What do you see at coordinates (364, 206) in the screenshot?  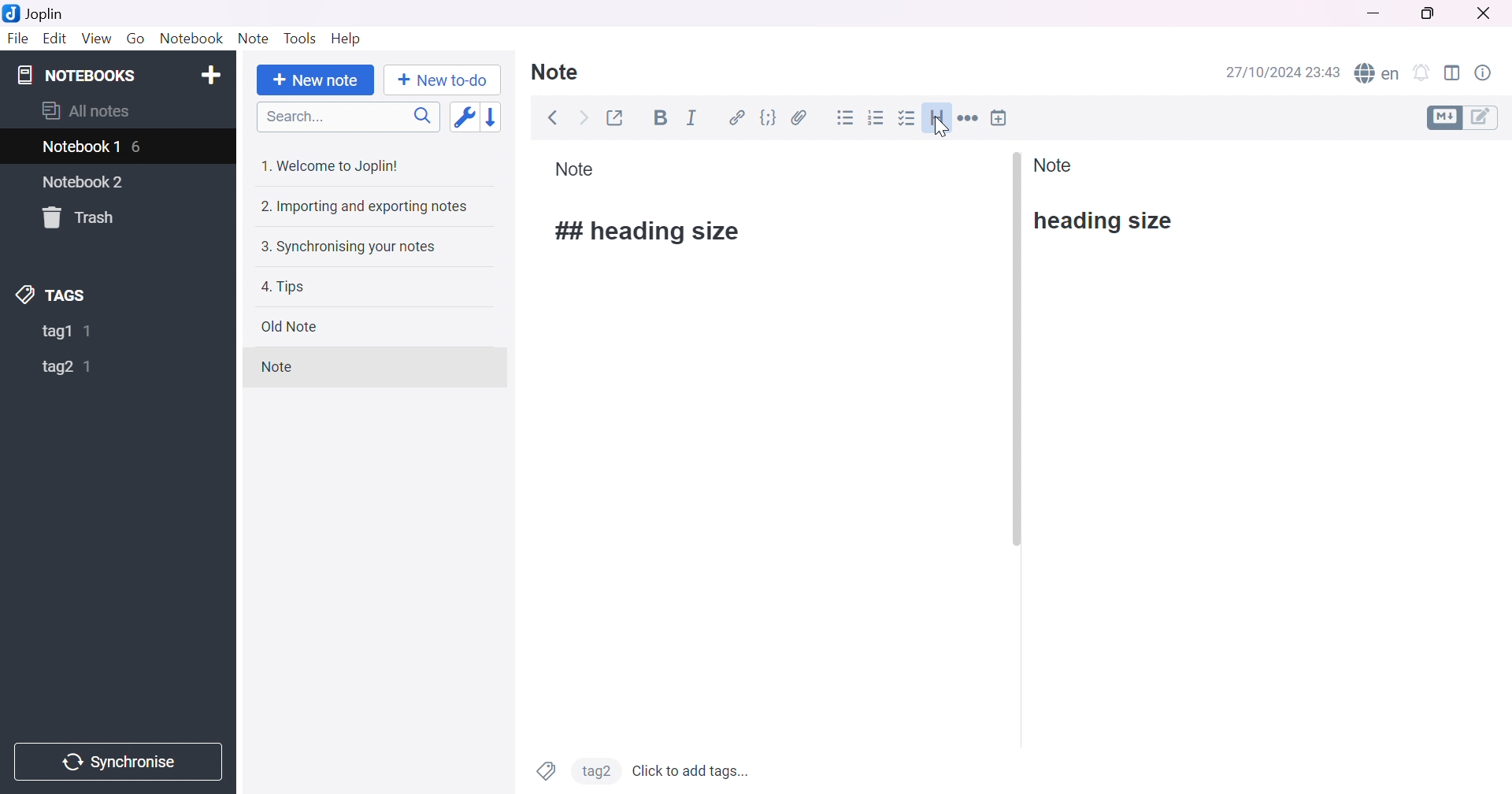 I see `2. Importing and exporting notes` at bounding box center [364, 206].